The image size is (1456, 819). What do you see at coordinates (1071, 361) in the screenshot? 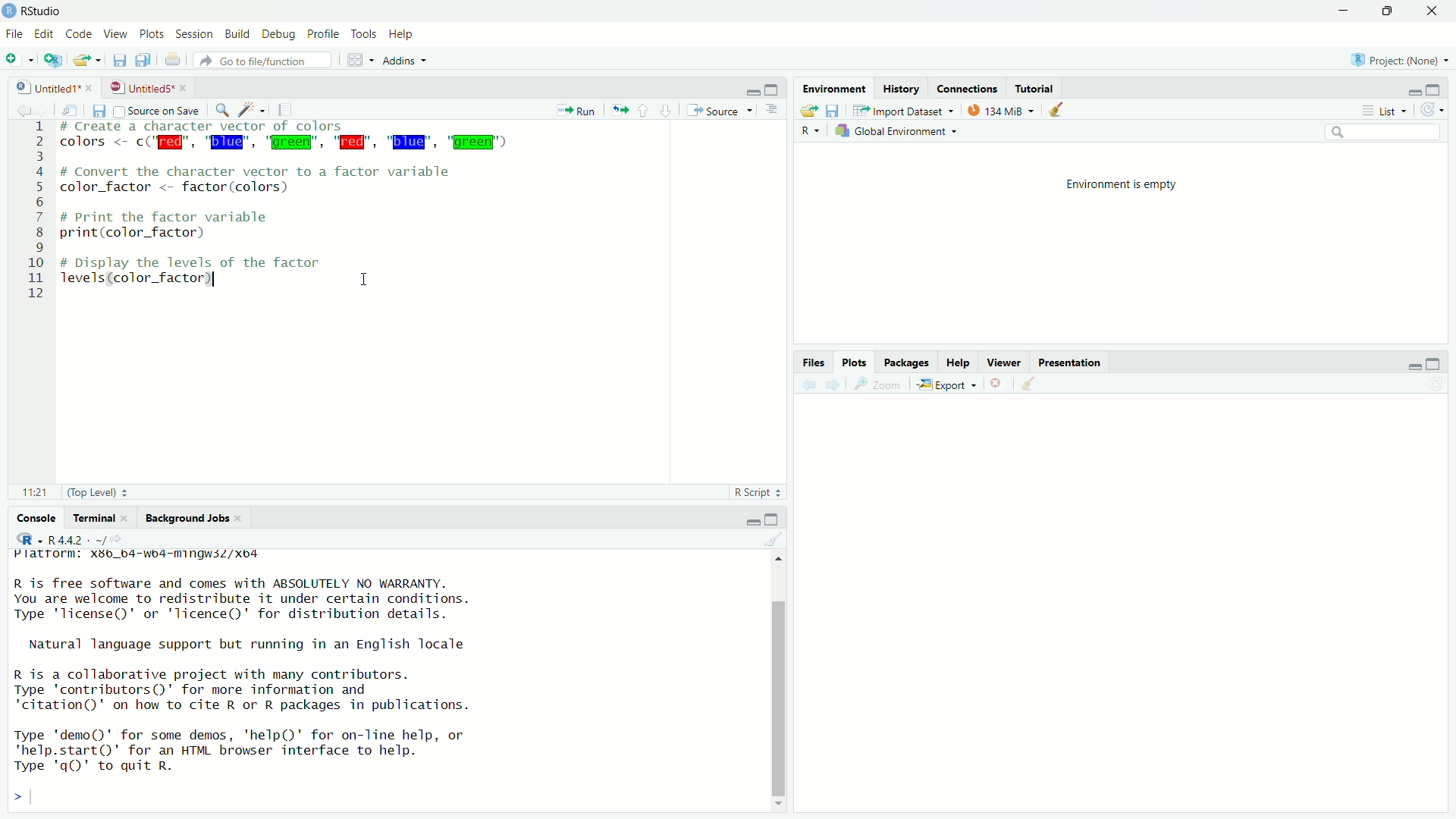
I see `Presentation` at bounding box center [1071, 361].